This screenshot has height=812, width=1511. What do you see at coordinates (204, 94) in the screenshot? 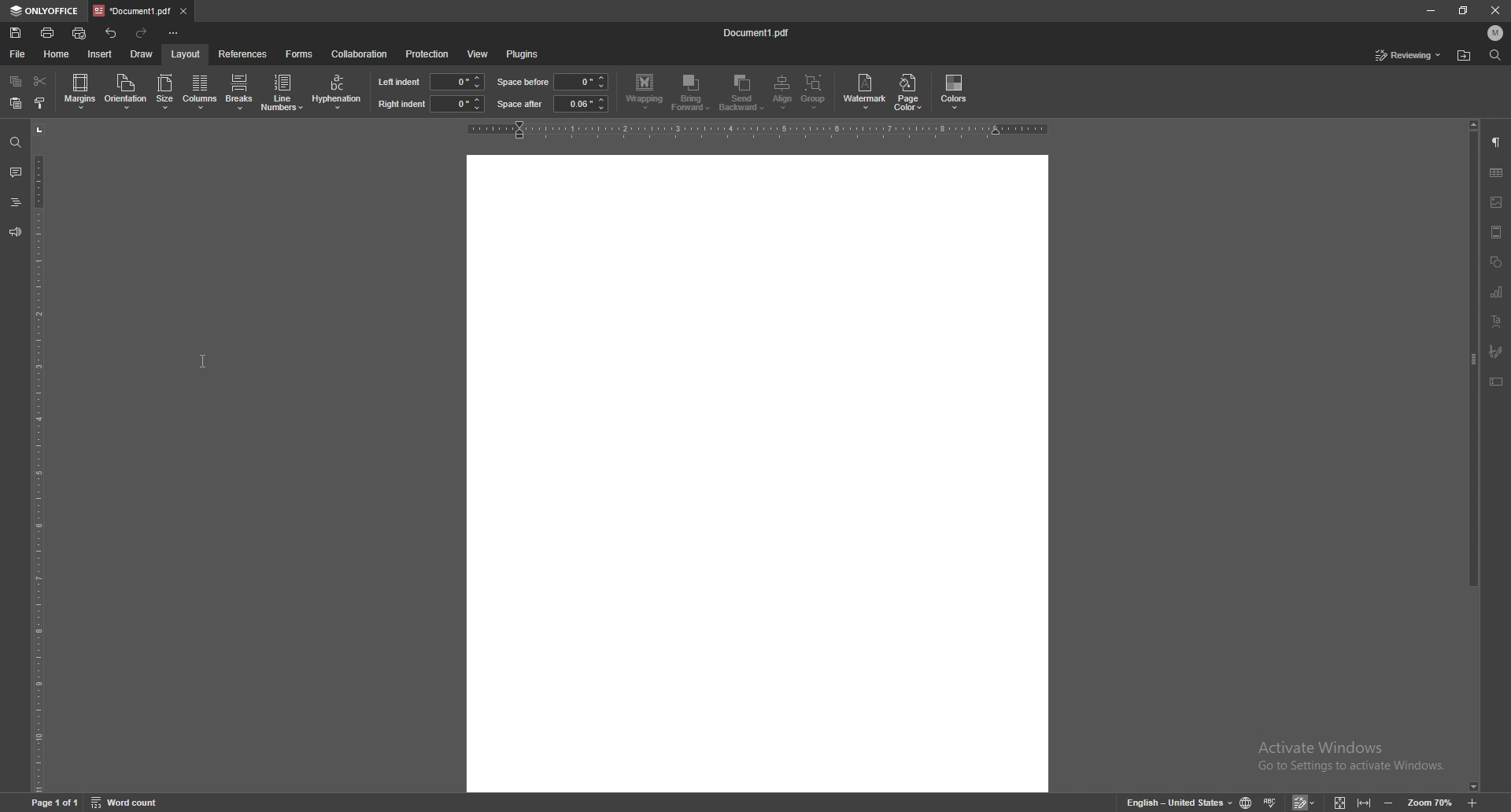
I see `cursor description` at bounding box center [204, 94].